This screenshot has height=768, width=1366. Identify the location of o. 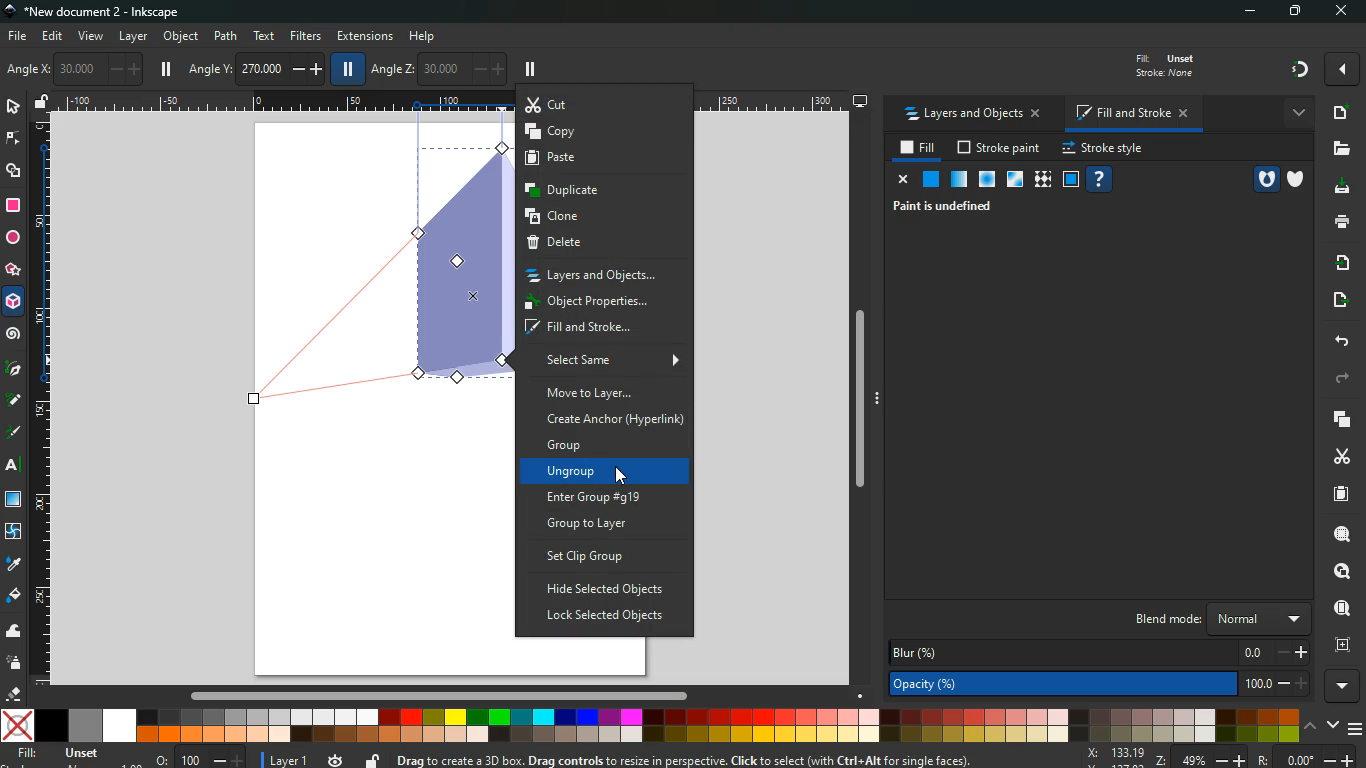
(196, 758).